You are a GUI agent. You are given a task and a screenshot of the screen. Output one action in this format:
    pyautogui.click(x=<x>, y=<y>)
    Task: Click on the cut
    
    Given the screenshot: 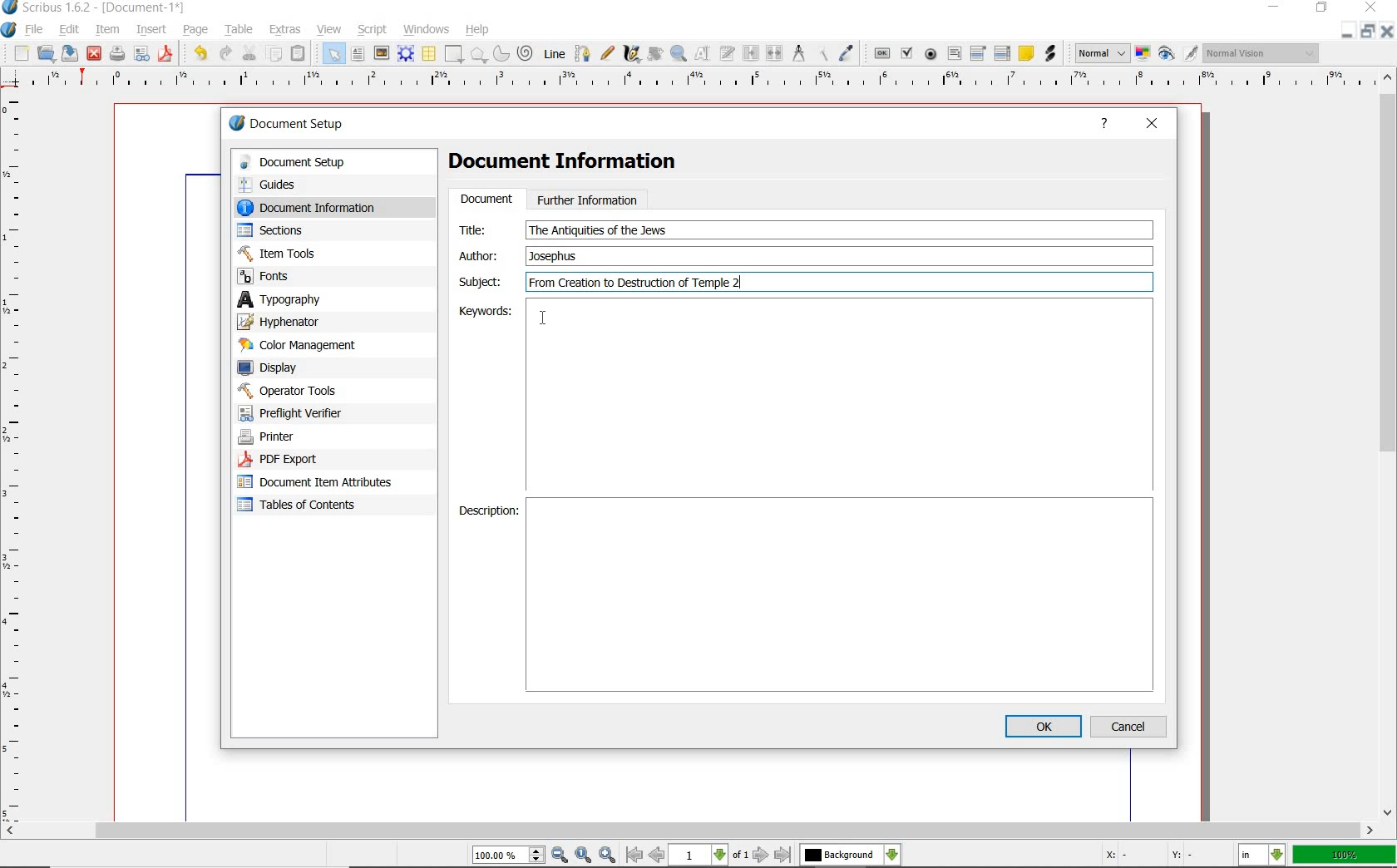 What is the action you would take?
    pyautogui.click(x=250, y=53)
    